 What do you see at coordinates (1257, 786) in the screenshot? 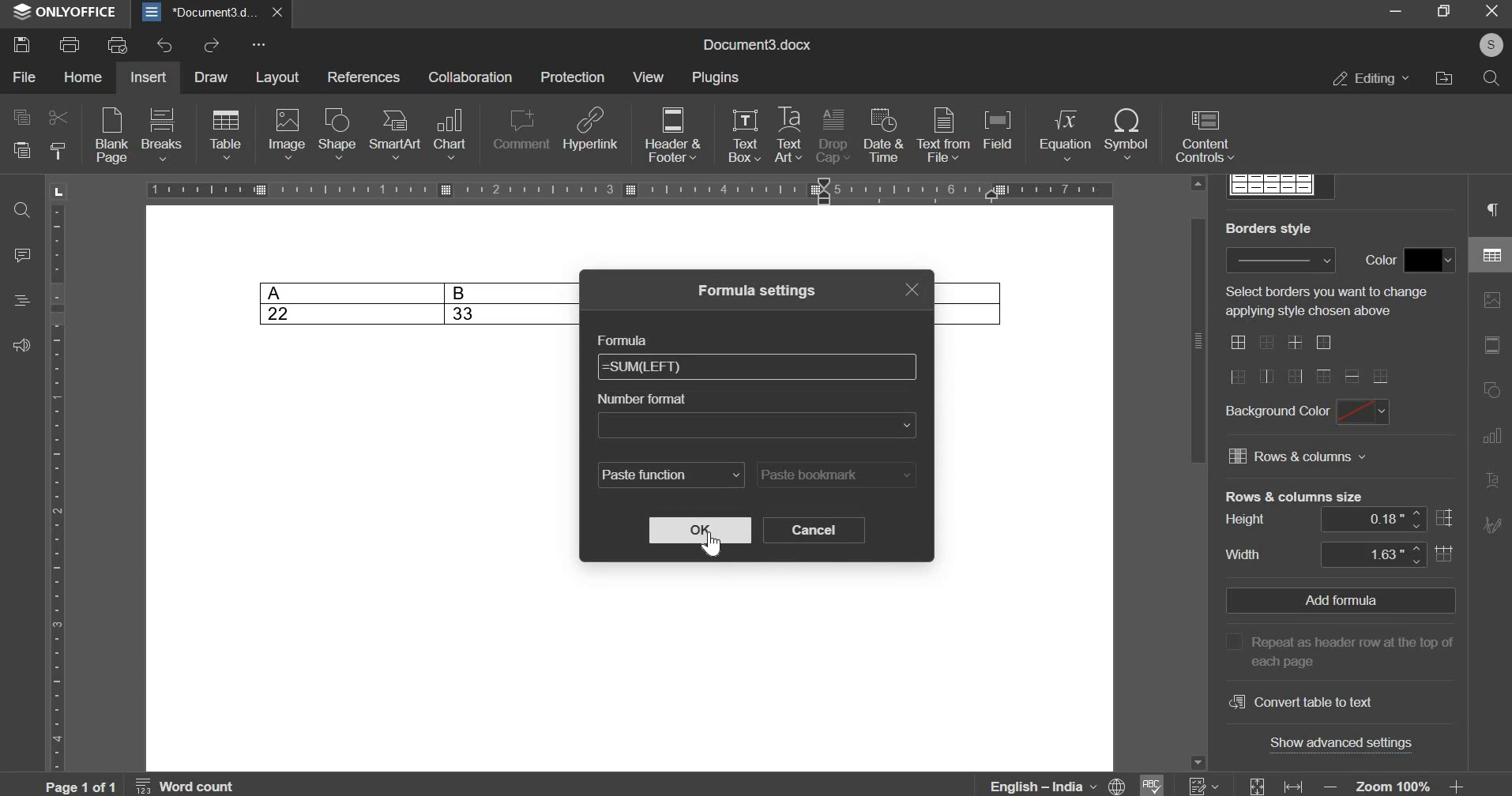
I see `fit to slide` at bounding box center [1257, 786].